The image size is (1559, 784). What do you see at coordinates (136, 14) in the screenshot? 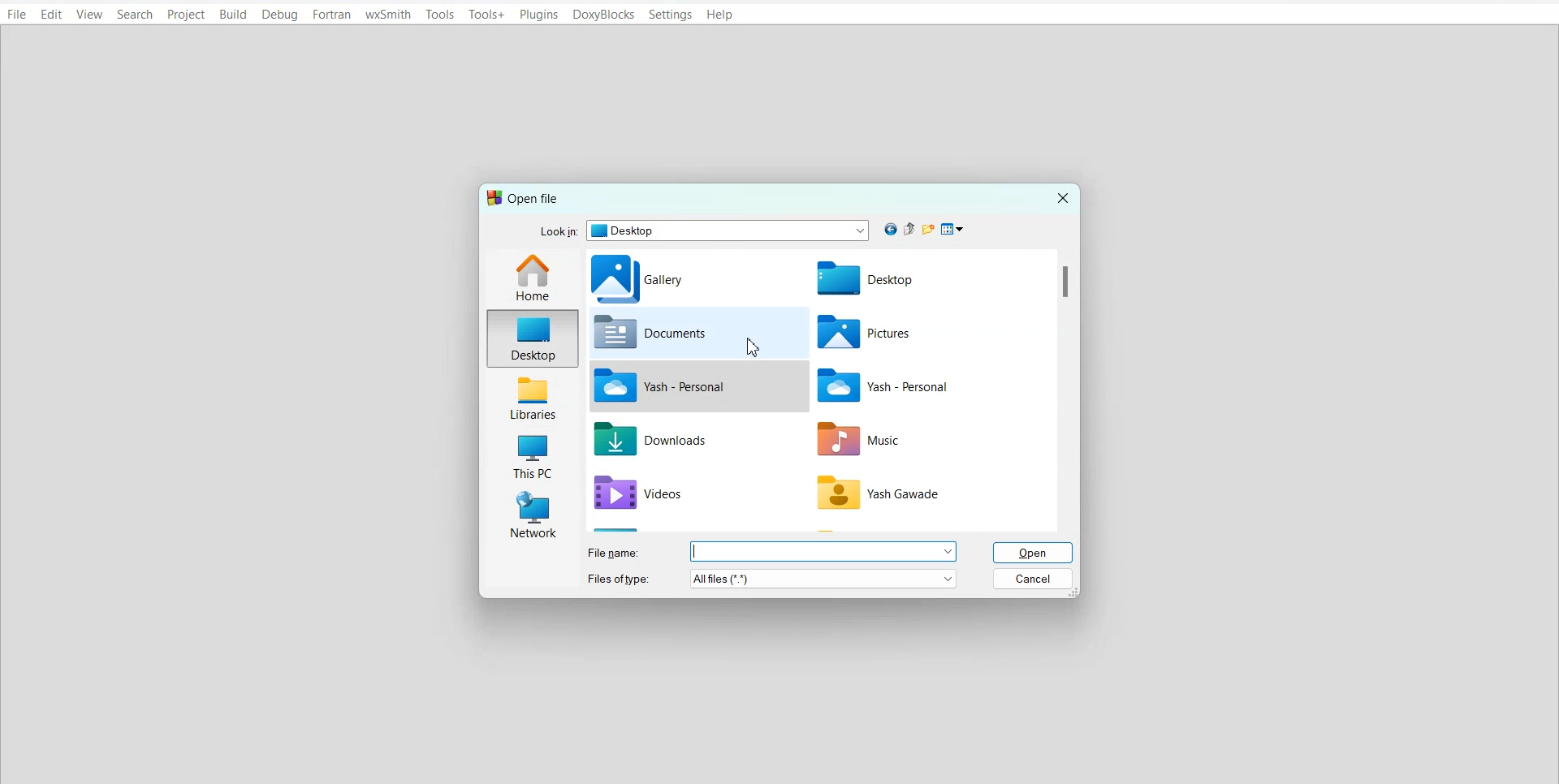
I see `Search` at bounding box center [136, 14].